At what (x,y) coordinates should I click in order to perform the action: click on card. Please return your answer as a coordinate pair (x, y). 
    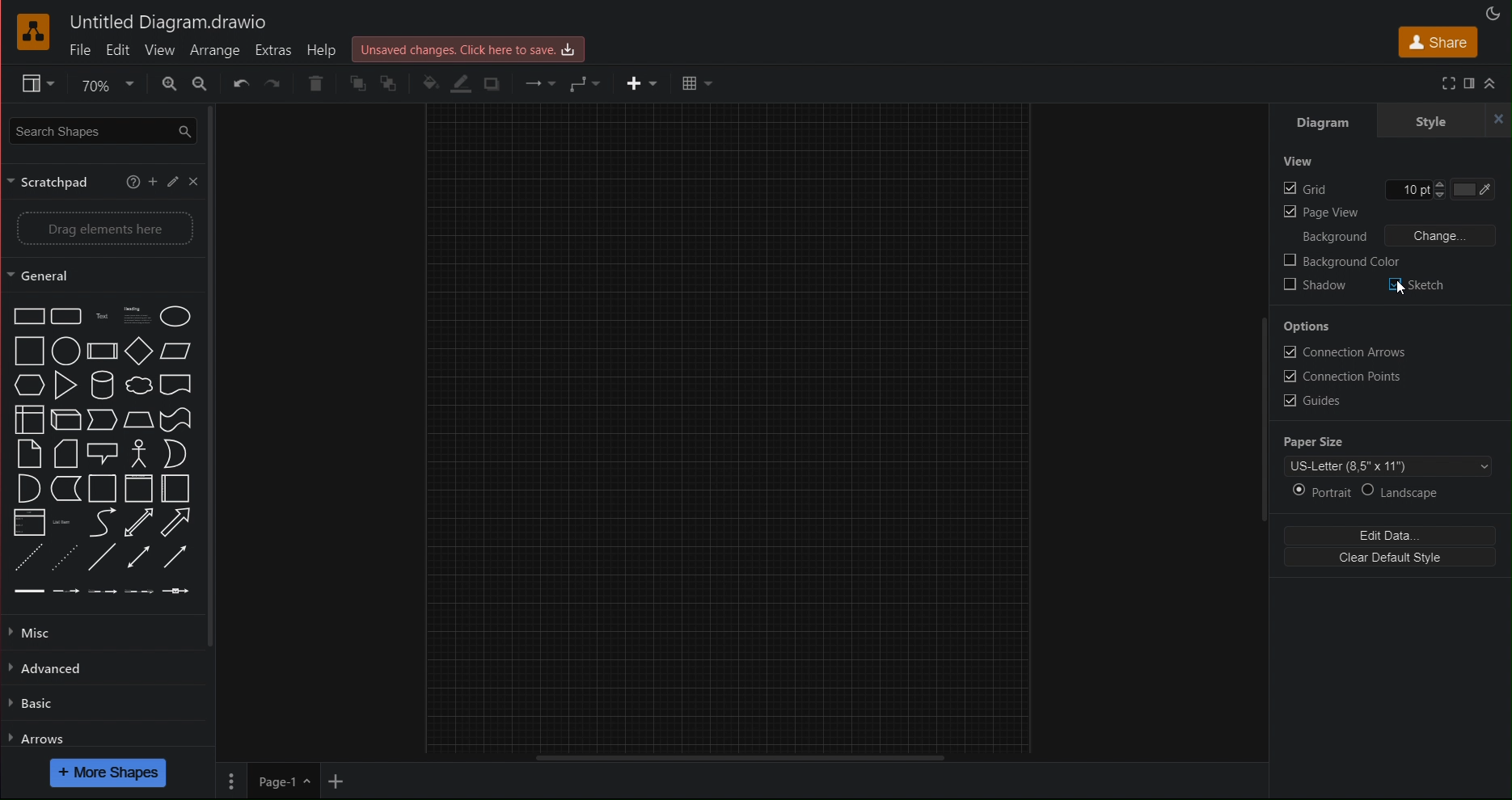
    Looking at the image, I should click on (64, 453).